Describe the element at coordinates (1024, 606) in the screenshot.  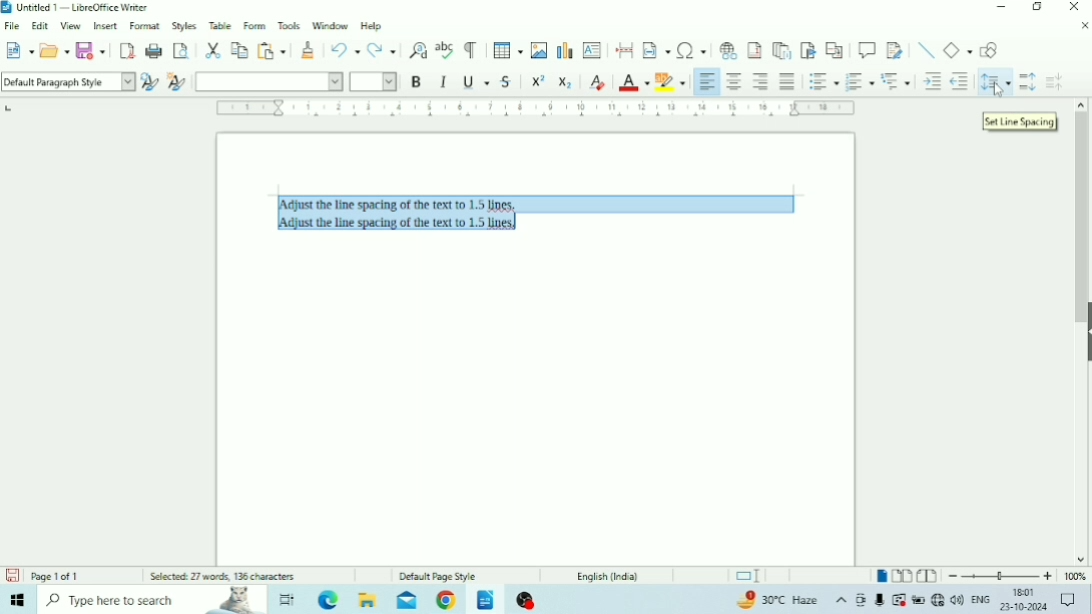
I see `Date` at that location.